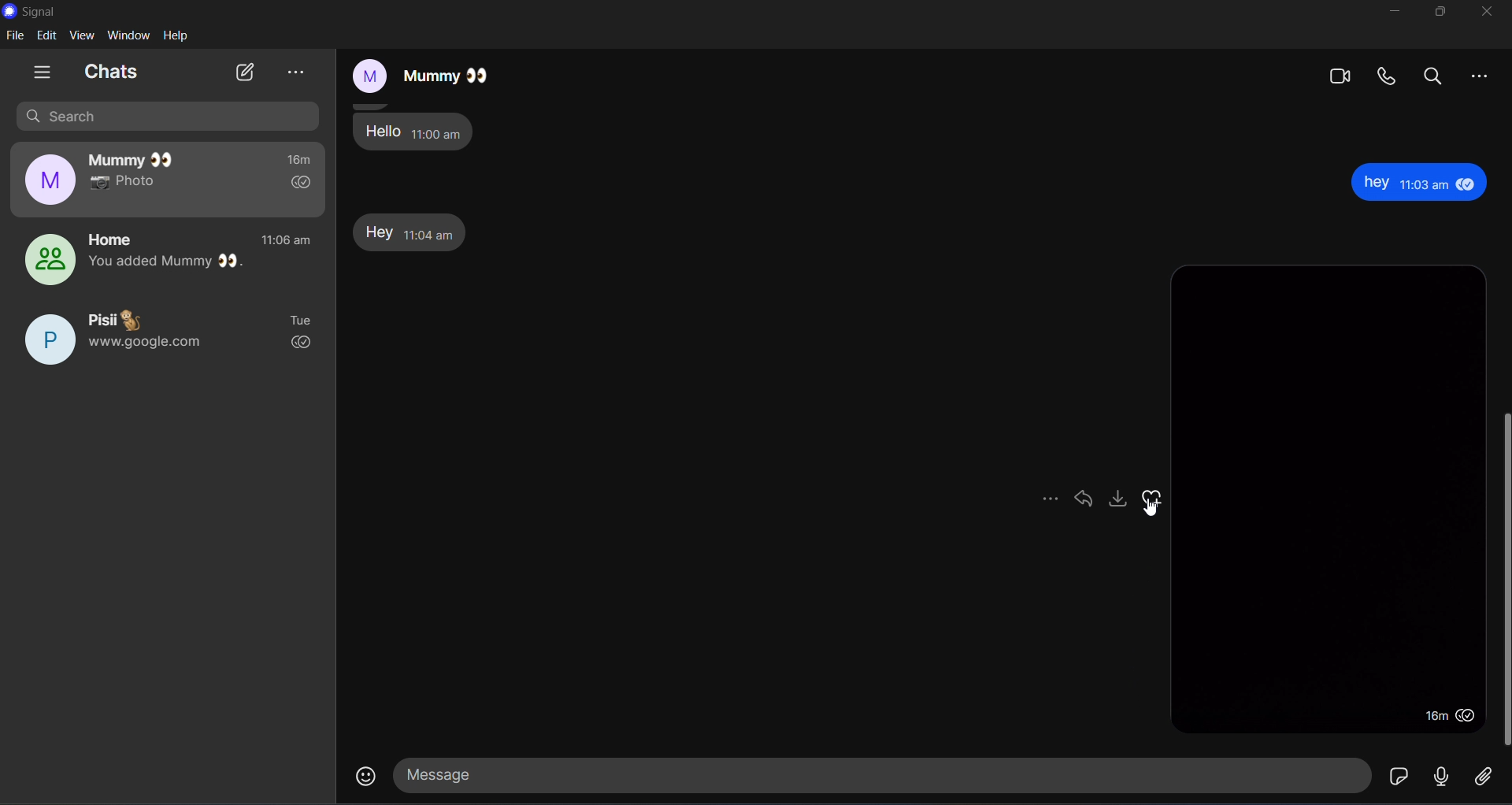 The height and width of the screenshot is (805, 1512). I want to click on message delivered time, so click(1438, 716).